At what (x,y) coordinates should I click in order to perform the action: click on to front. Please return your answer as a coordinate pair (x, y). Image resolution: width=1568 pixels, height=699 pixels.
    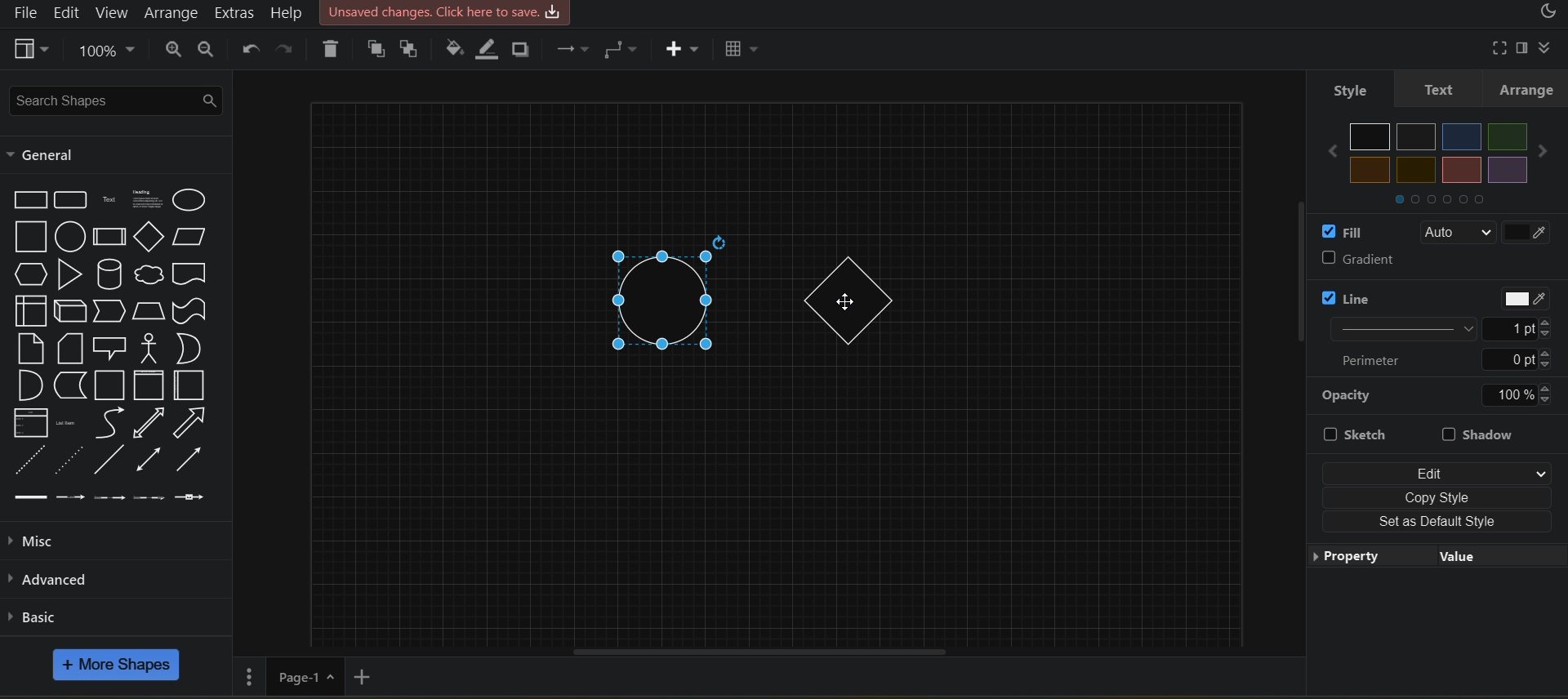
    Looking at the image, I should click on (376, 49).